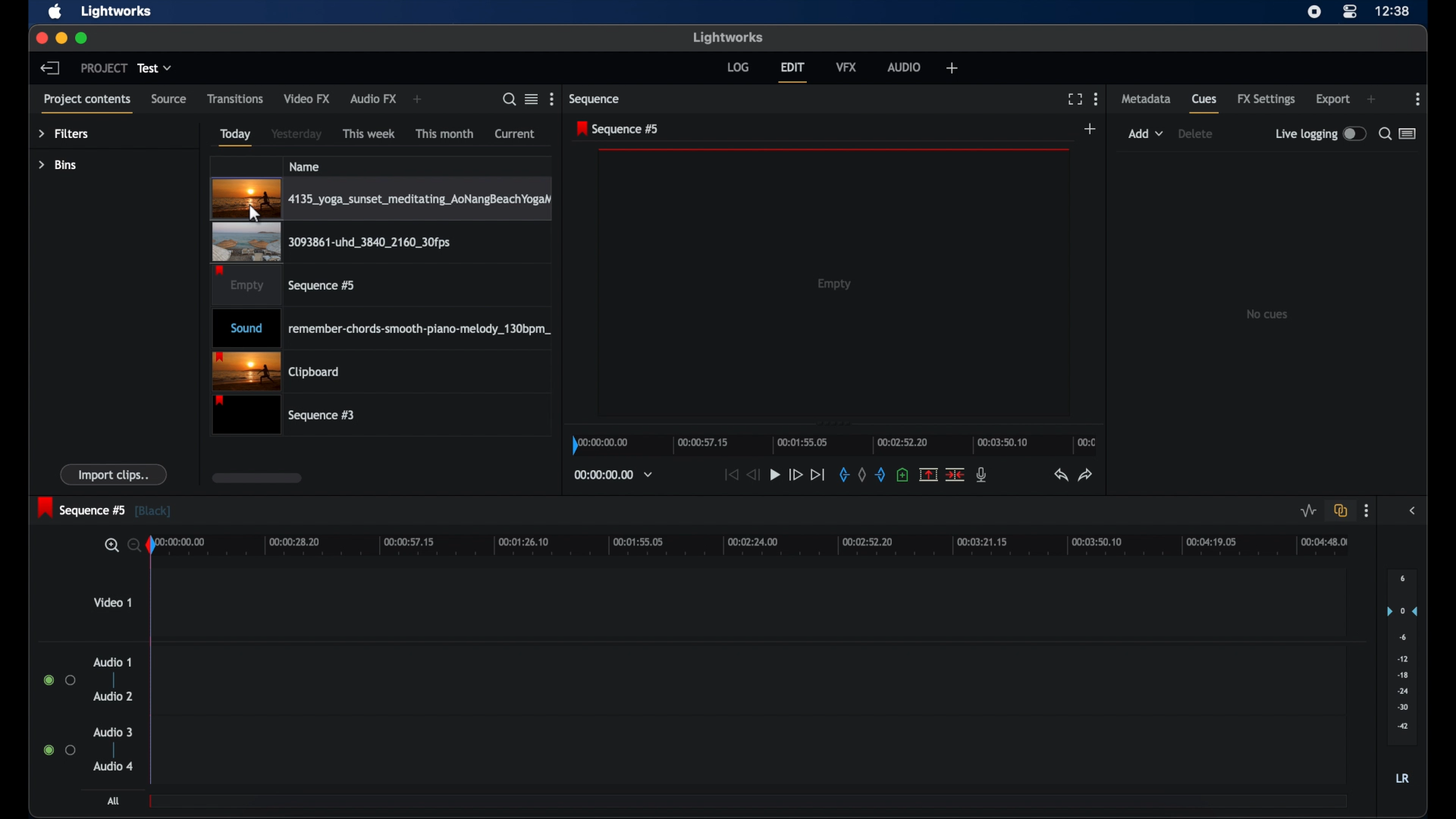  I want to click on radio button, so click(59, 750).